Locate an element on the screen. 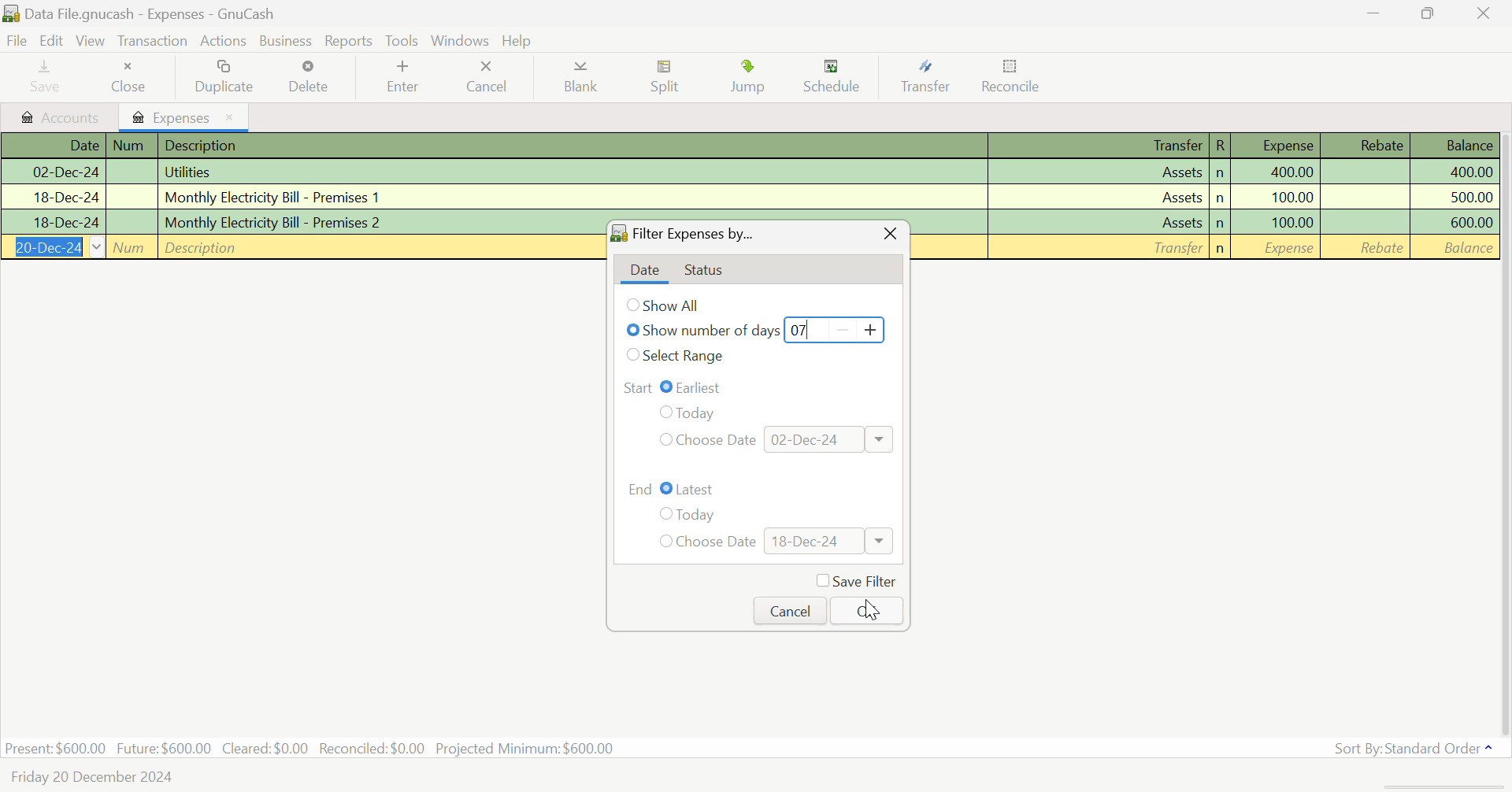  View is located at coordinates (91, 42).